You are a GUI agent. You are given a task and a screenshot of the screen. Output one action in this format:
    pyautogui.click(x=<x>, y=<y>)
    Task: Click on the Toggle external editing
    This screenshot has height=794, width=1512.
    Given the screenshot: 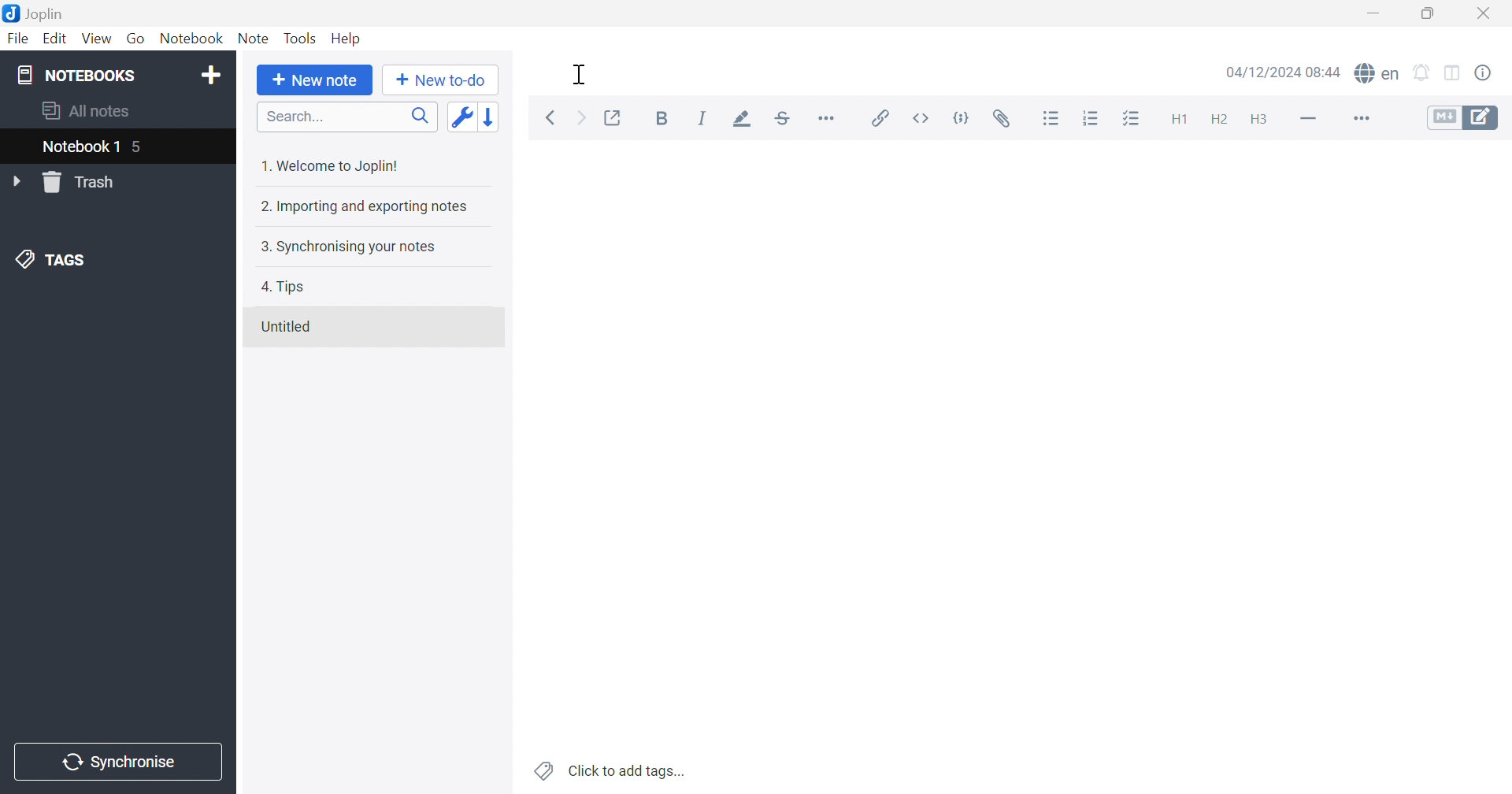 What is the action you would take?
    pyautogui.click(x=613, y=117)
    